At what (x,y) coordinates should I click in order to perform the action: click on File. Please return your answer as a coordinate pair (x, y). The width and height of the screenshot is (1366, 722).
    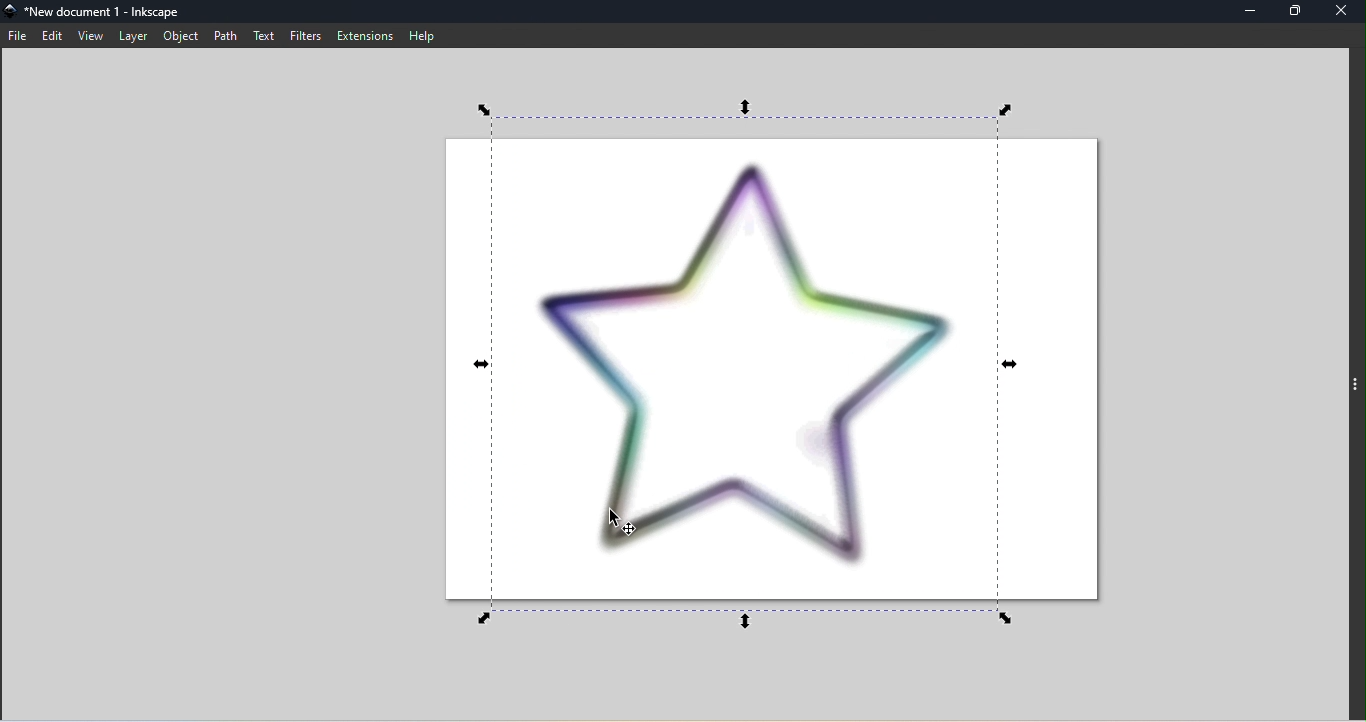
    Looking at the image, I should click on (17, 37).